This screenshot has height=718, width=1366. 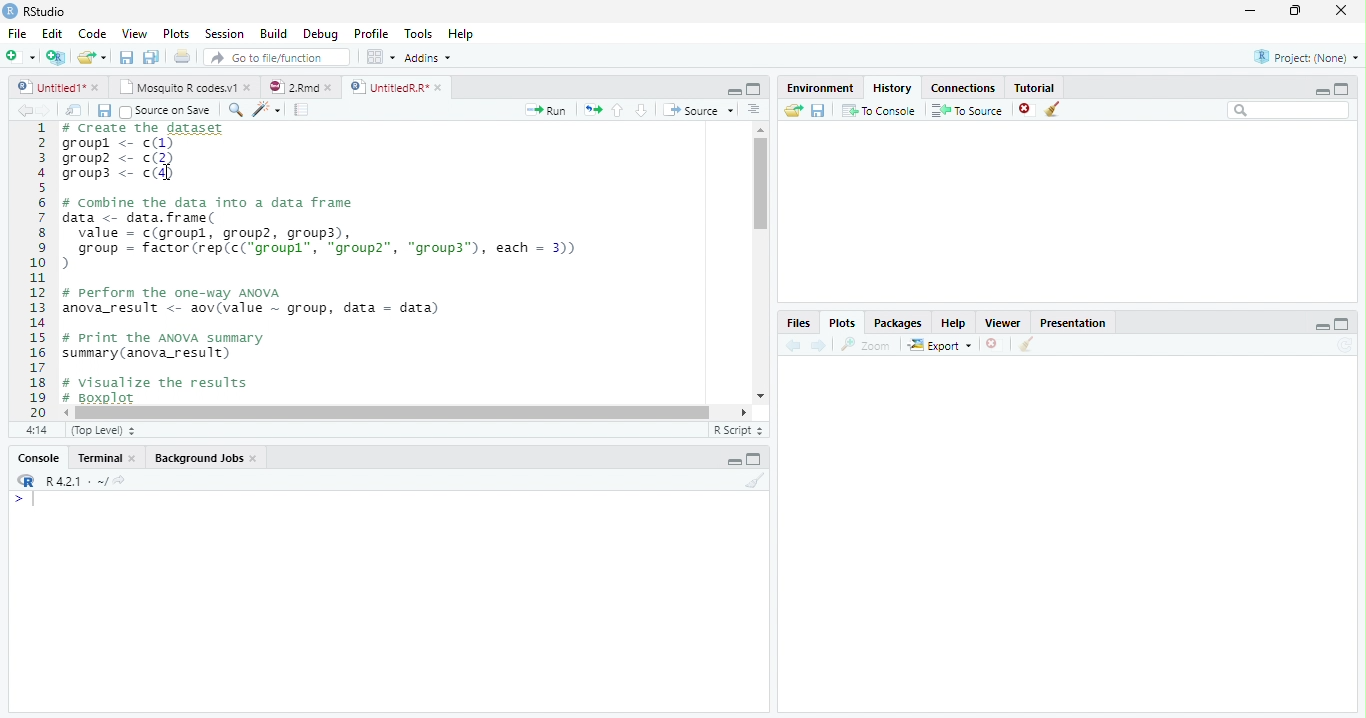 What do you see at coordinates (753, 111) in the screenshot?
I see `Alignment` at bounding box center [753, 111].